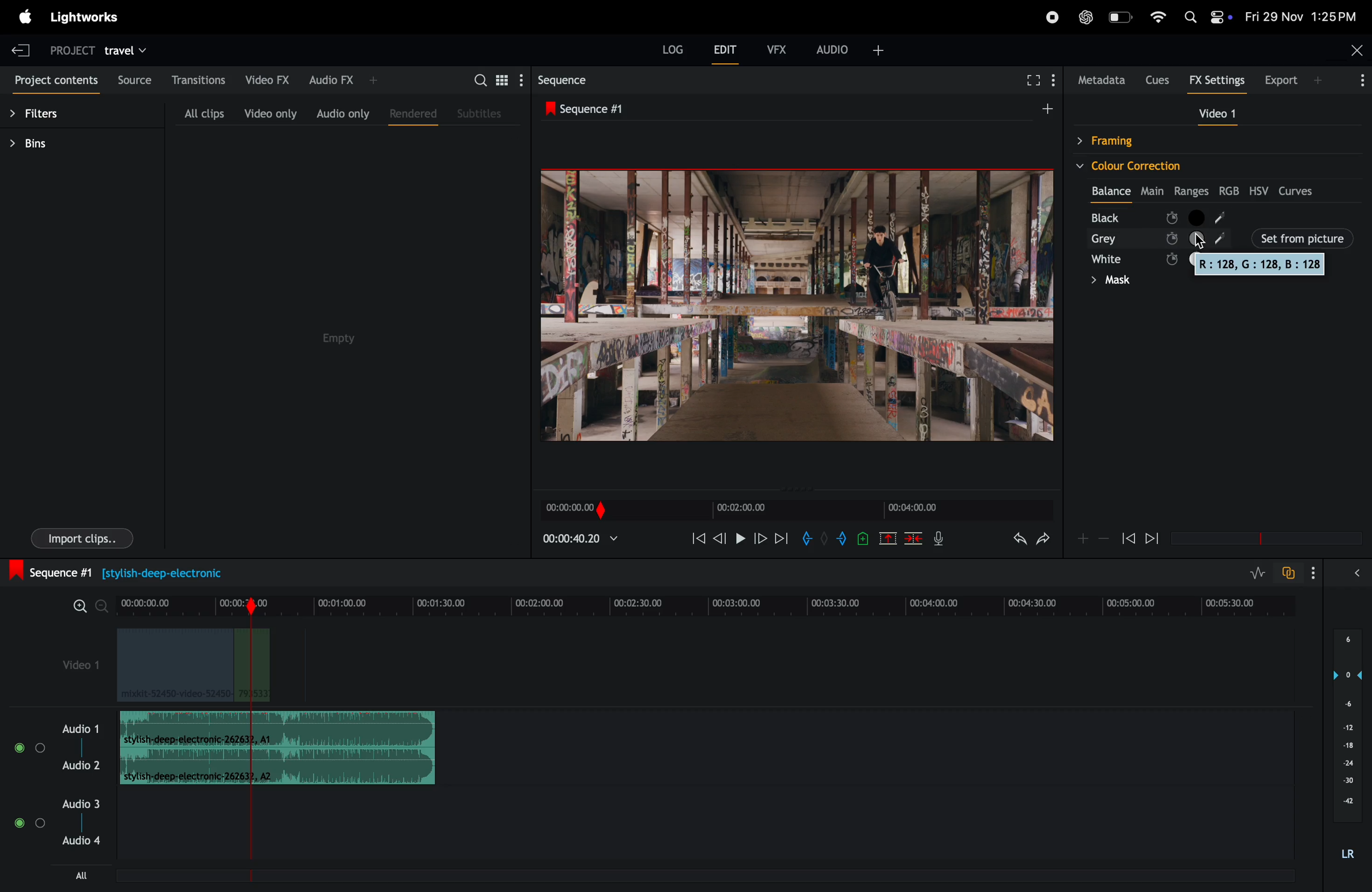 This screenshot has width=1372, height=892. What do you see at coordinates (1128, 539) in the screenshot?
I see `rewind` at bounding box center [1128, 539].